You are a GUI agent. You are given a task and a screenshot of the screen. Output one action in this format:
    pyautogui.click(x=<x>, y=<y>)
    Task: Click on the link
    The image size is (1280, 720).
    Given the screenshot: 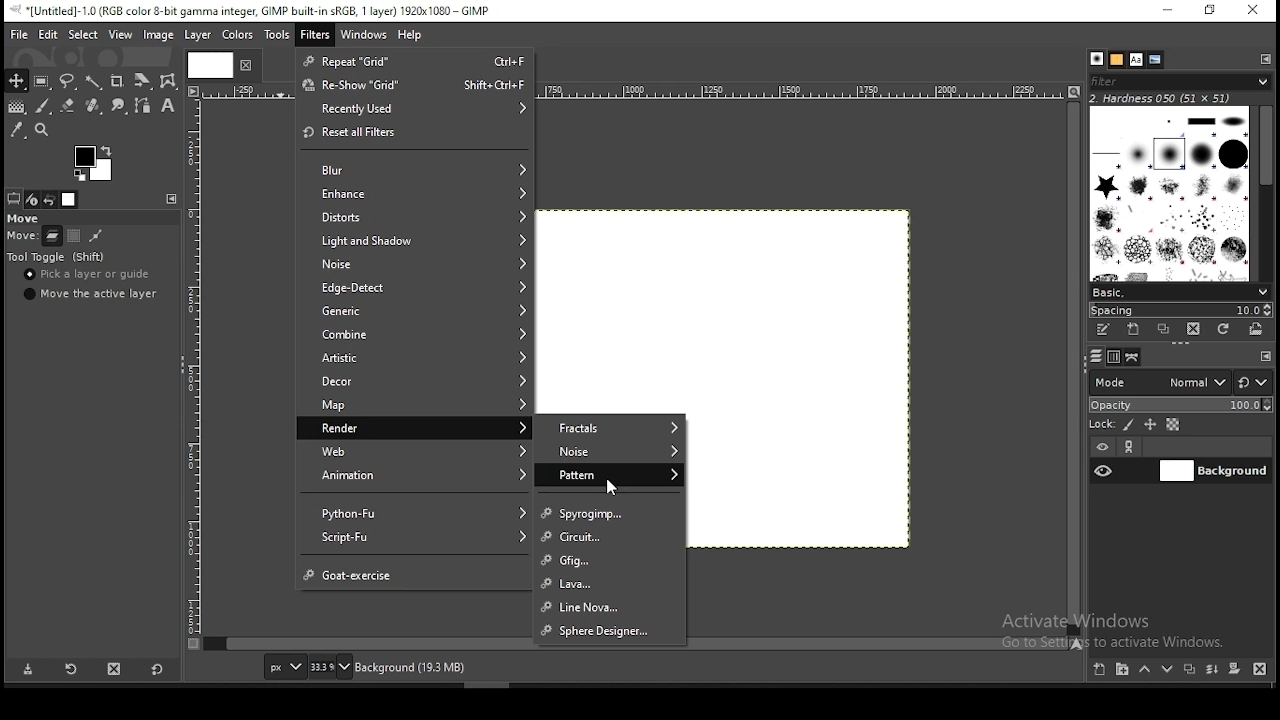 What is the action you would take?
    pyautogui.click(x=1133, y=446)
    